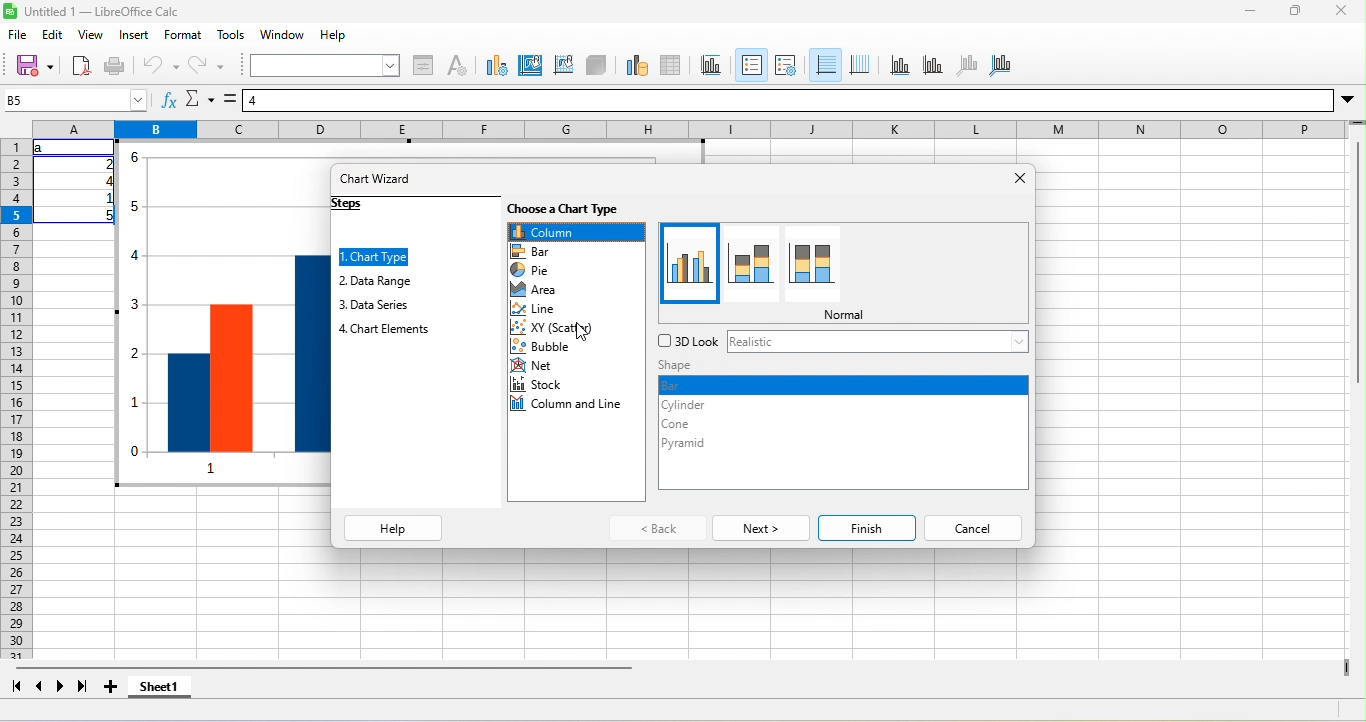 This screenshot has width=1366, height=722. Describe the element at coordinates (457, 67) in the screenshot. I see `character` at that location.